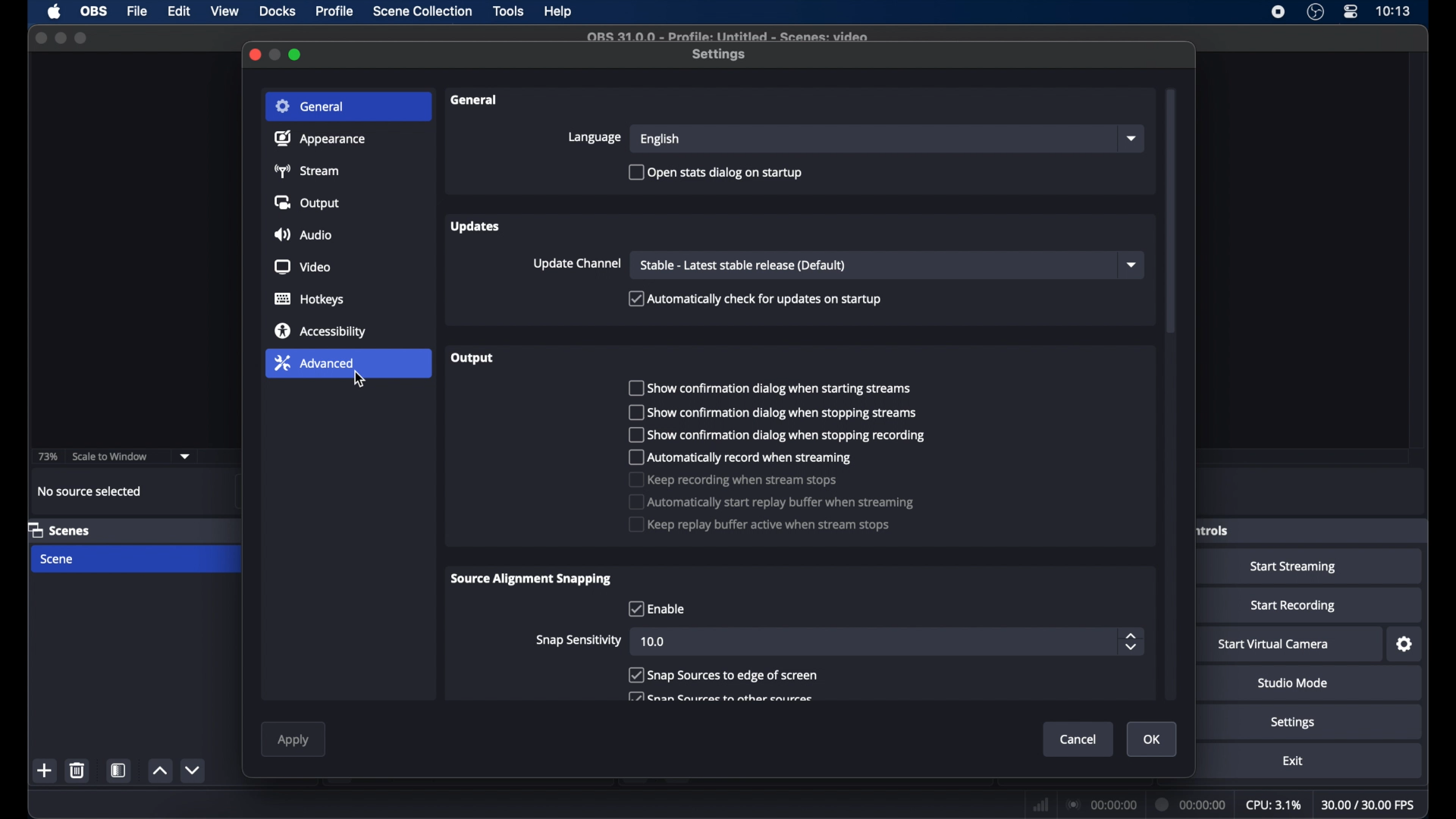 This screenshot has height=819, width=1456. I want to click on close, so click(254, 53).